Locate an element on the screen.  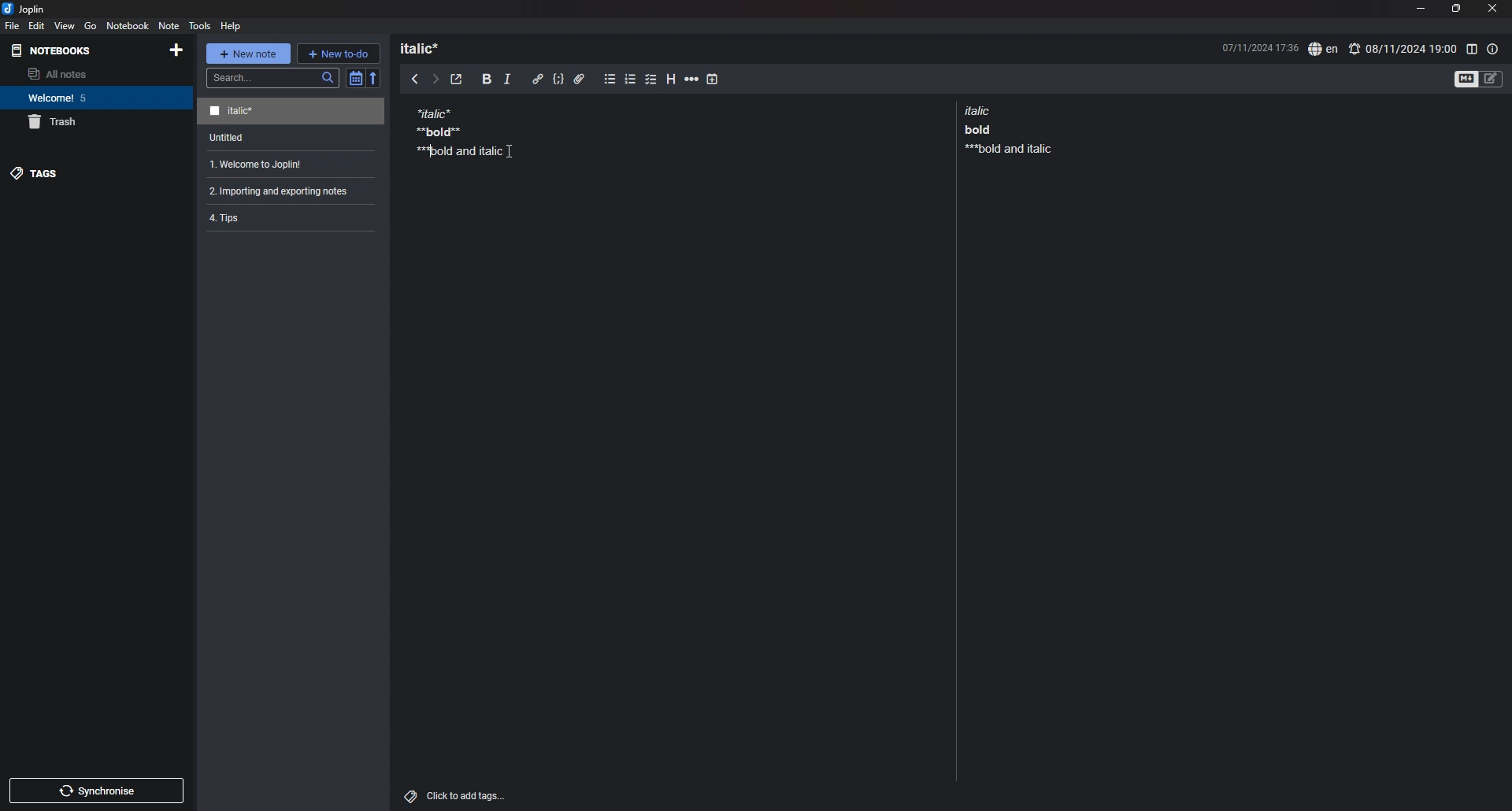
add time is located at coordinates (713, 79).